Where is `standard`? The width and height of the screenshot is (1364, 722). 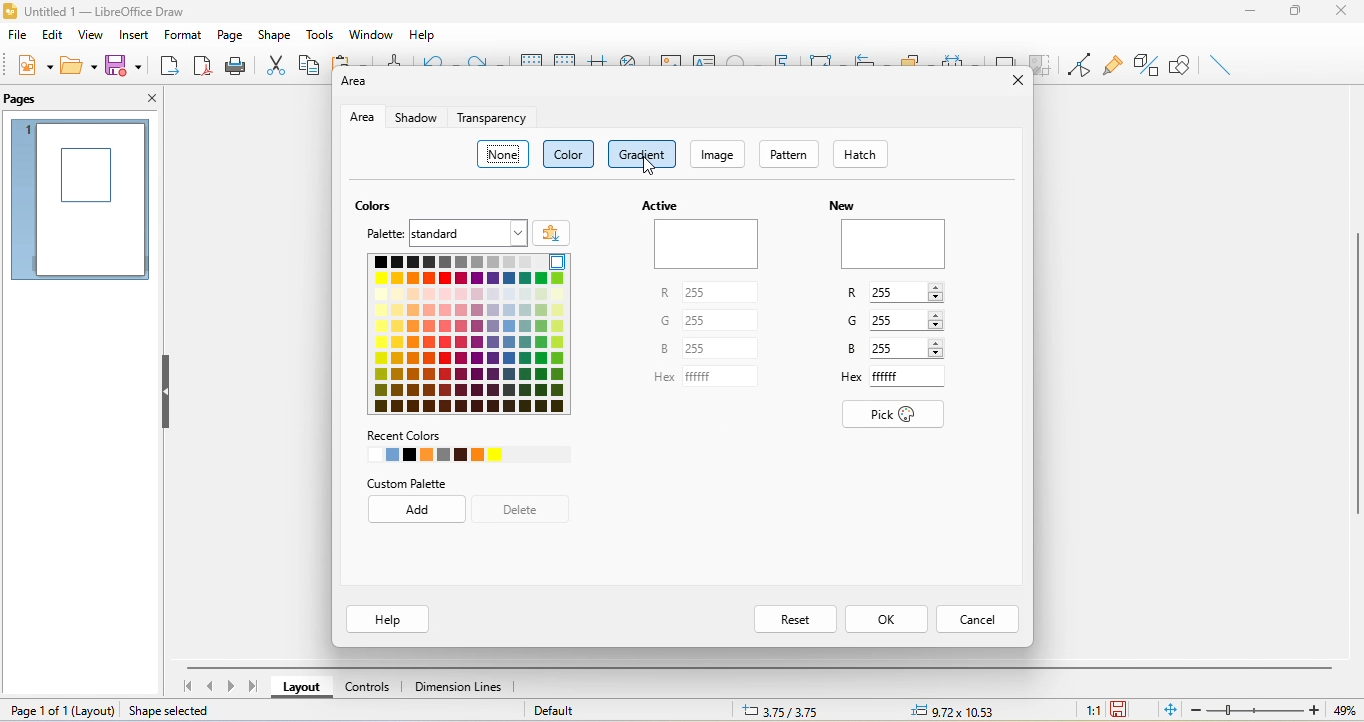
standard is located at coordinates (470, 232).